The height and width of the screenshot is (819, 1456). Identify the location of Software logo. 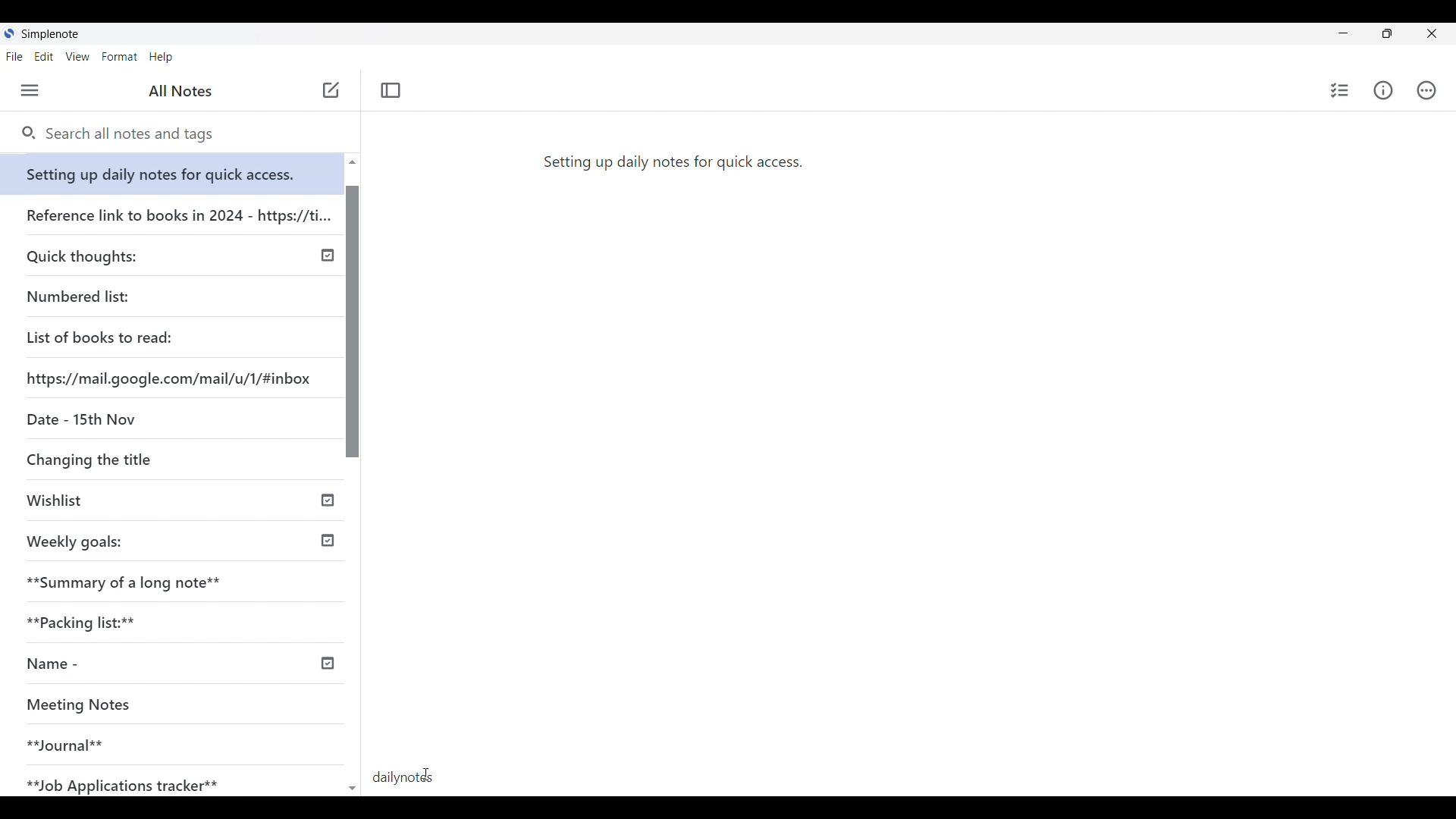
(10, 33).